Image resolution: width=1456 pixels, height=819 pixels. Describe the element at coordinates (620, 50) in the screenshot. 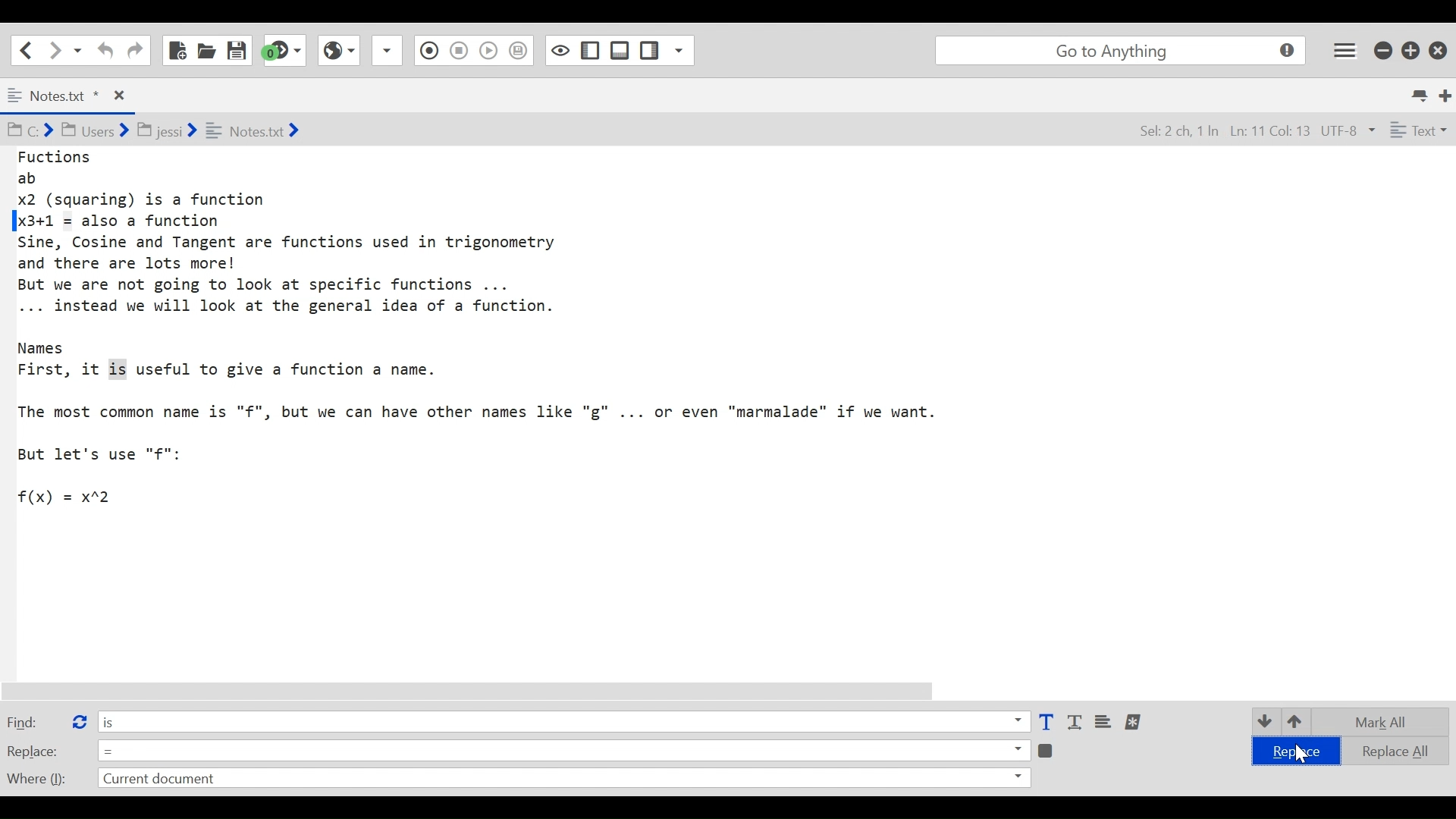

I see `Show/Hide Left Pane` at that location.